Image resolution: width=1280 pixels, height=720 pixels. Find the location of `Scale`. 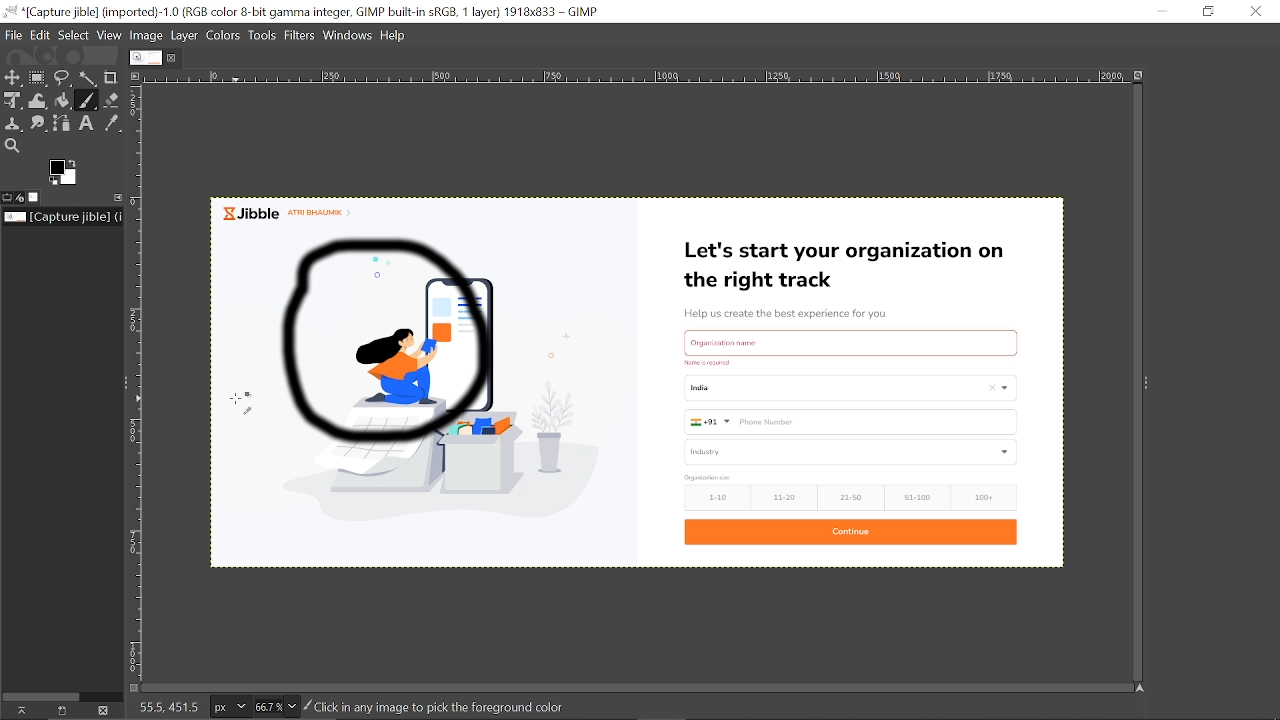

Scale is located at coordinates (138, 388).